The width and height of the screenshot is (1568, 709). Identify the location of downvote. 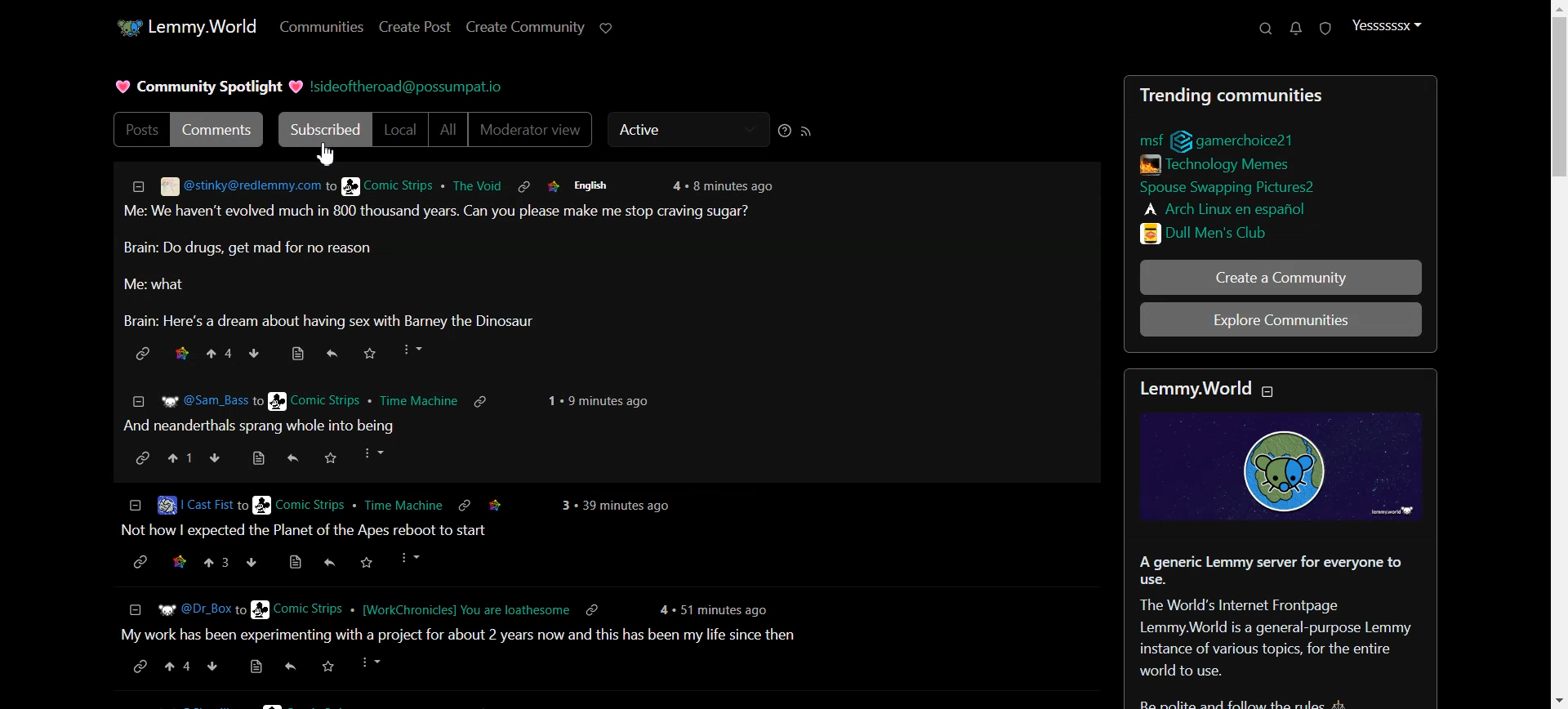
(251, 562).